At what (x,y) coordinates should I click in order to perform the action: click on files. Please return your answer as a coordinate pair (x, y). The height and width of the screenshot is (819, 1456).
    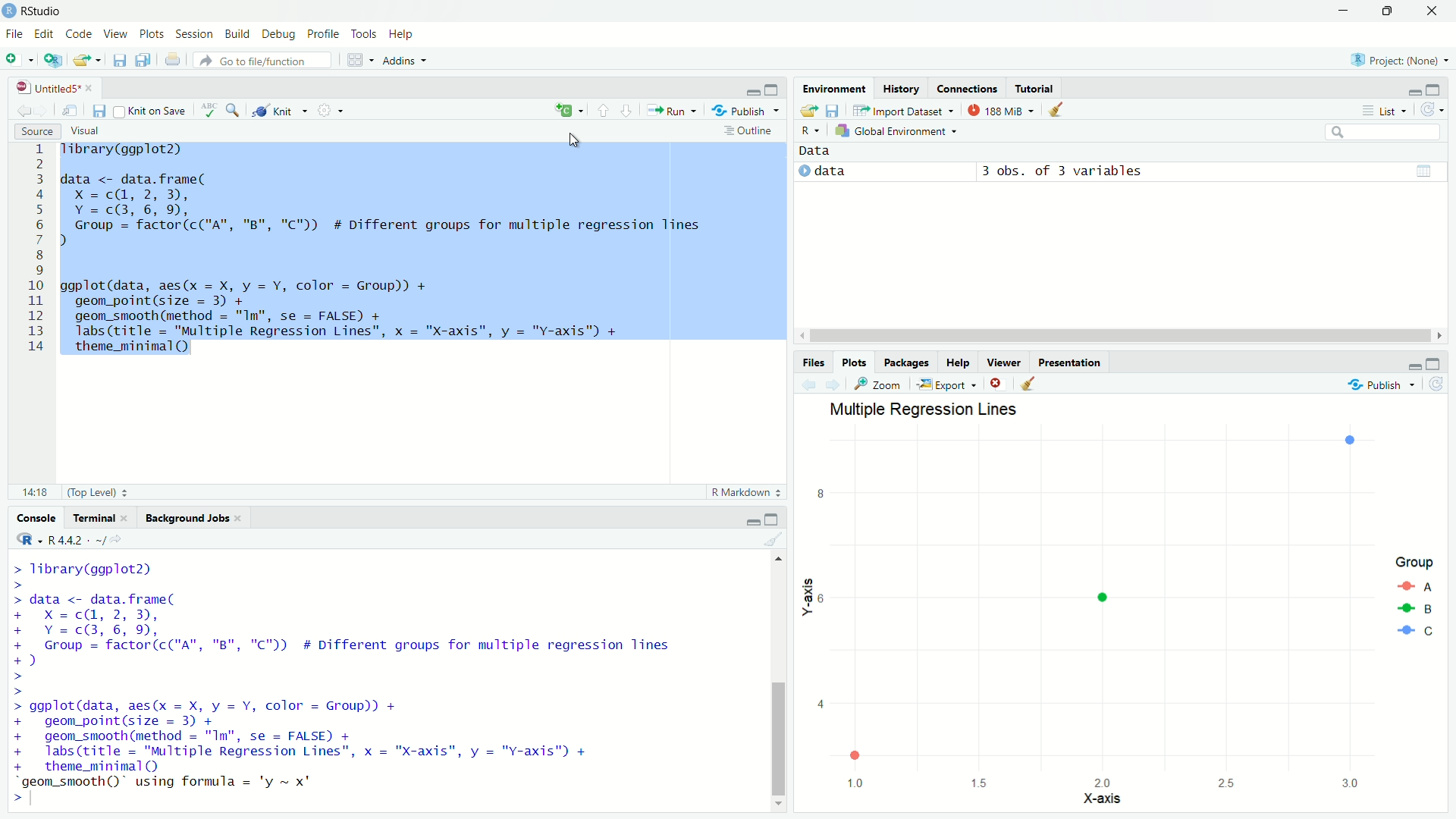
    Looking at the image, I should click on (100, 111).